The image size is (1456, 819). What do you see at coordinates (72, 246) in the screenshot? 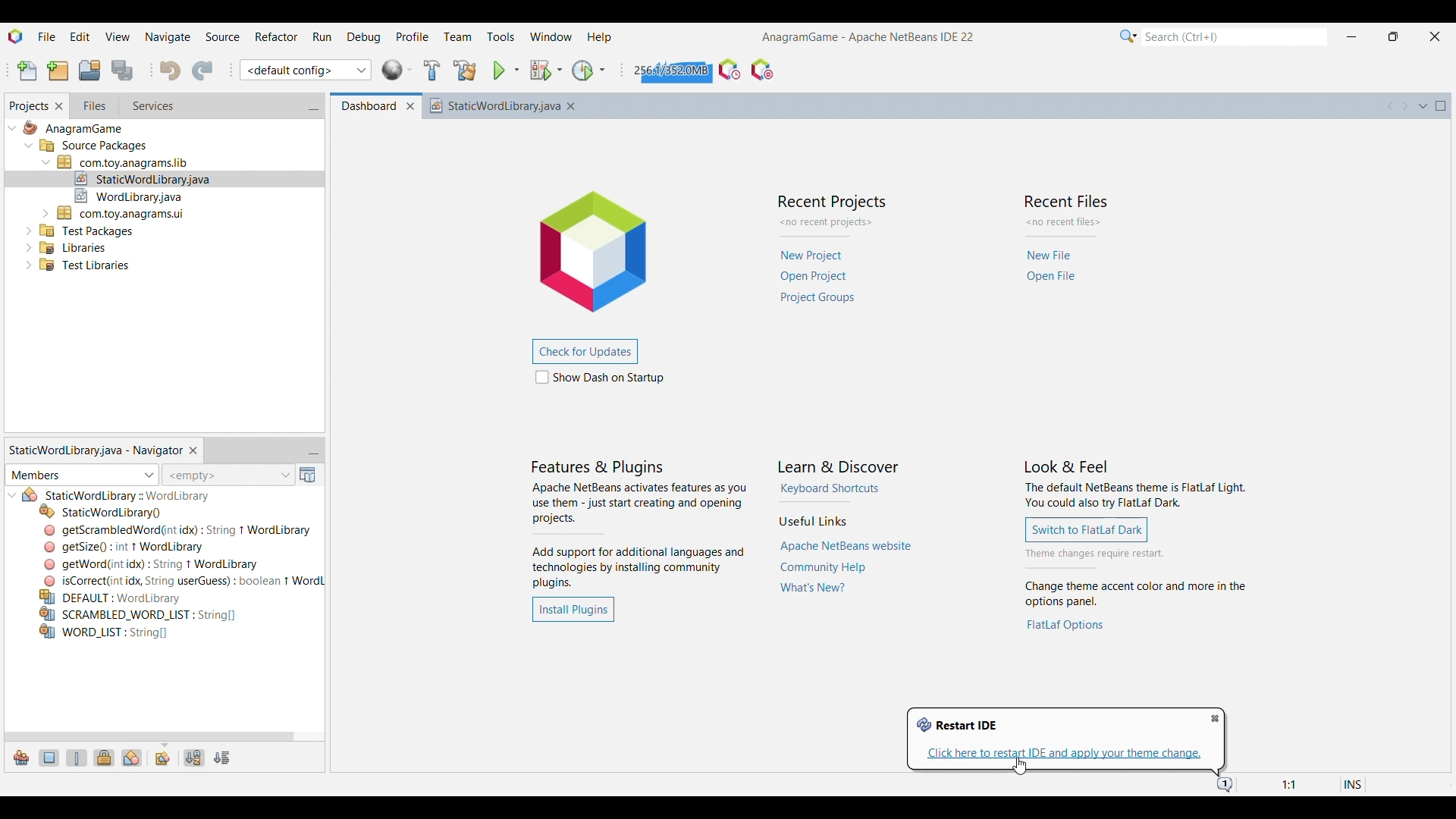
I see `` at bounding box center [72, 246].